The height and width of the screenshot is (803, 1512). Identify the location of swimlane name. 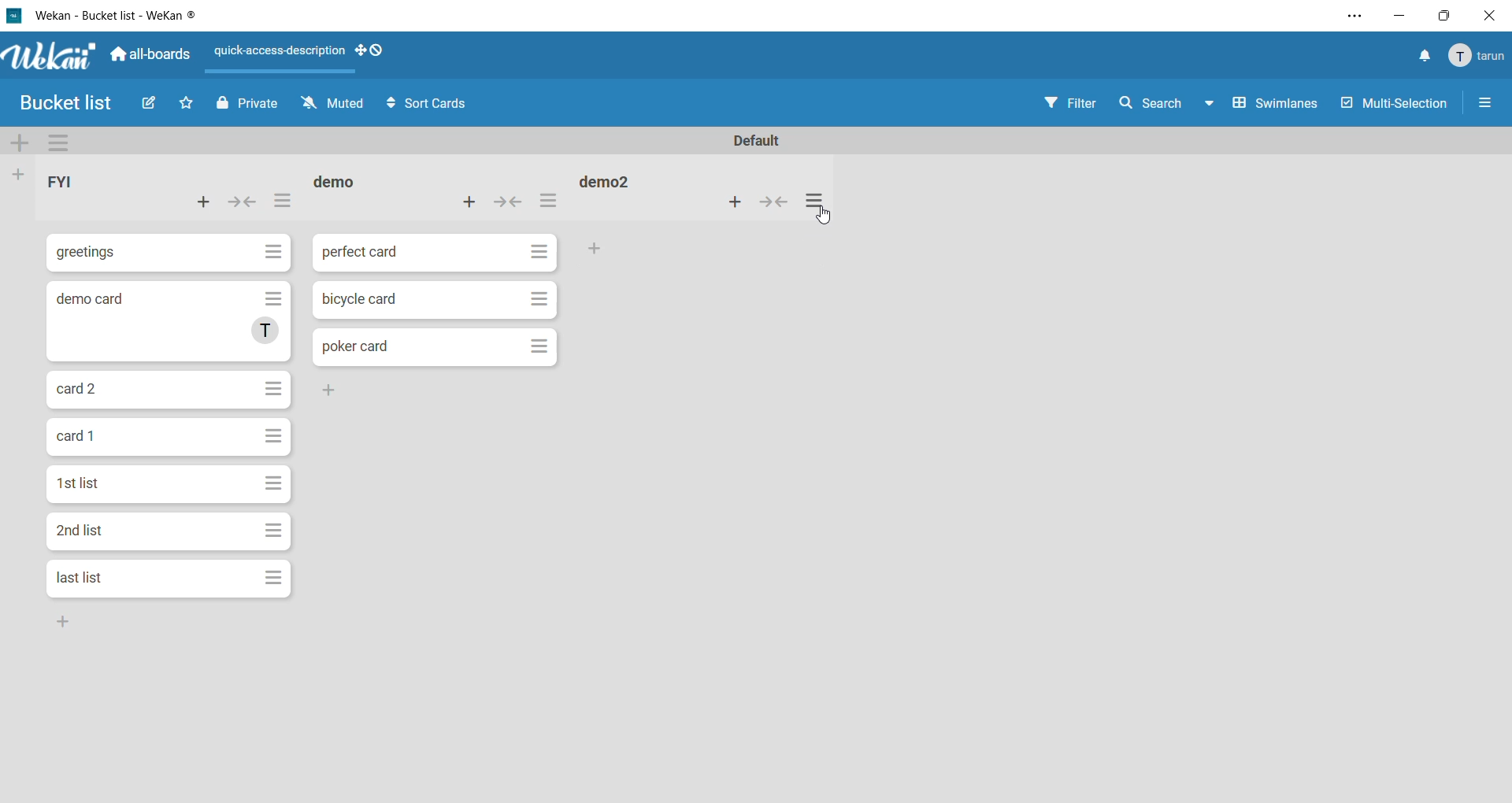
(757, 142).